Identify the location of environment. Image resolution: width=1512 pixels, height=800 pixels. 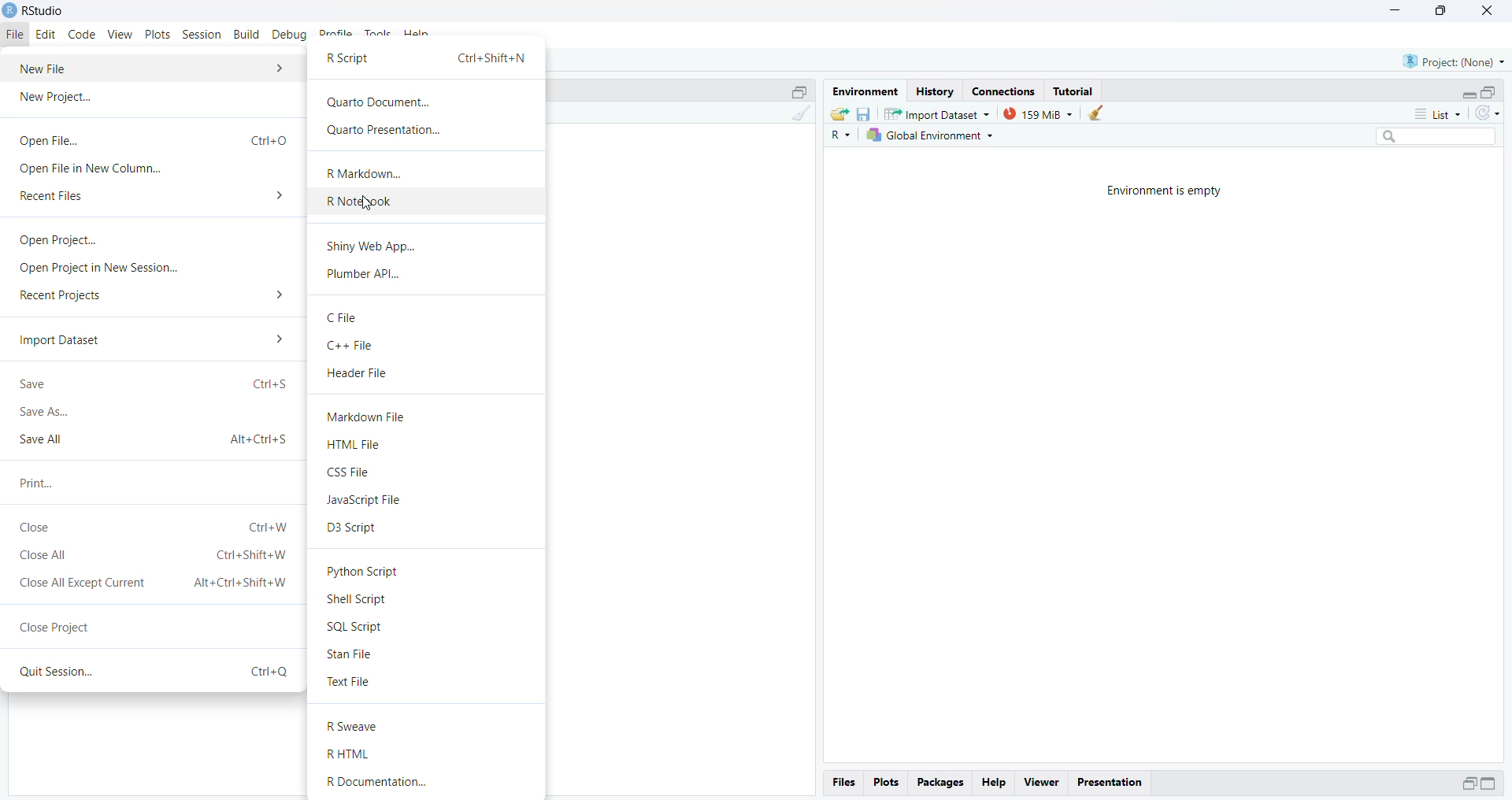
(864, 91).